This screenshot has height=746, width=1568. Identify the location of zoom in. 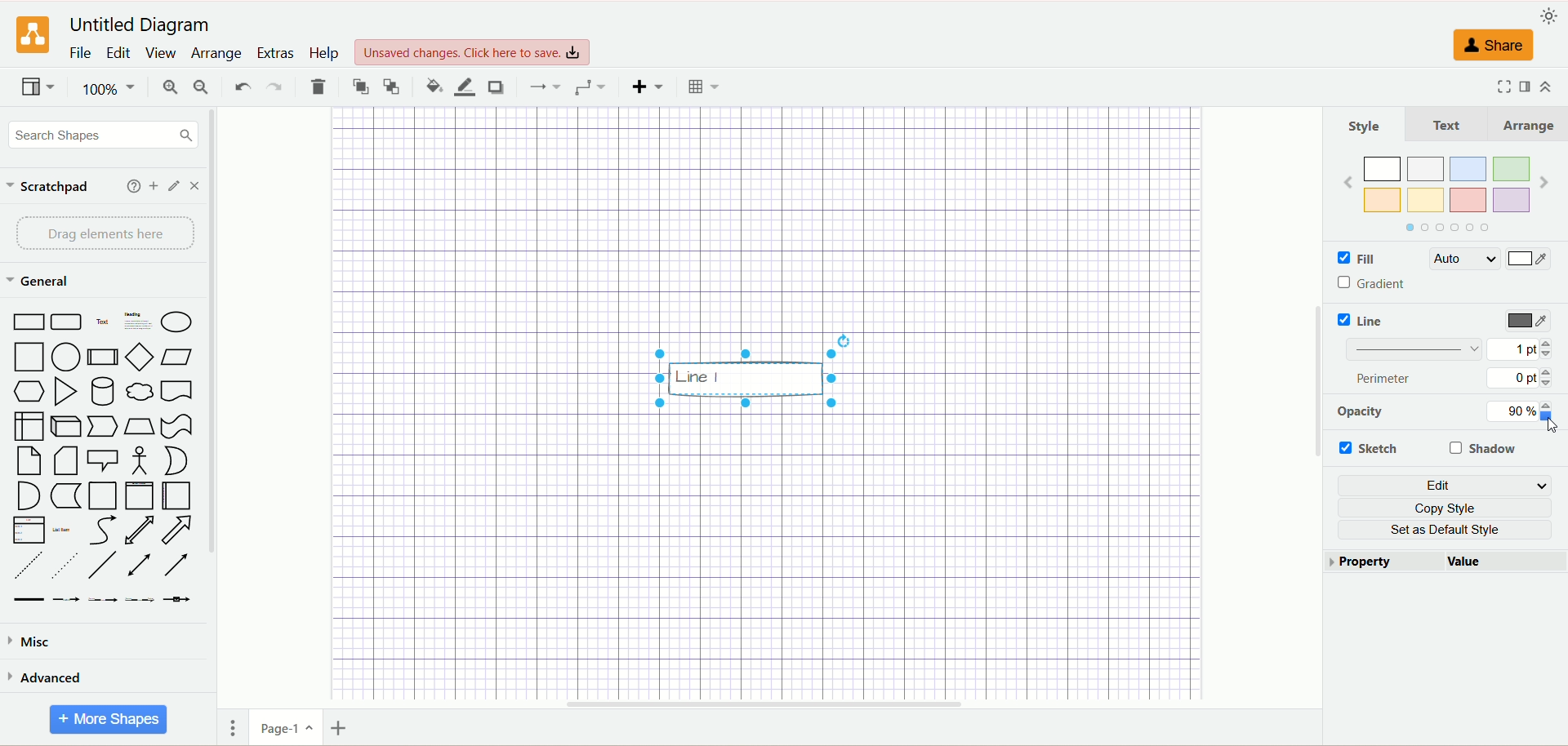
(167, 87).